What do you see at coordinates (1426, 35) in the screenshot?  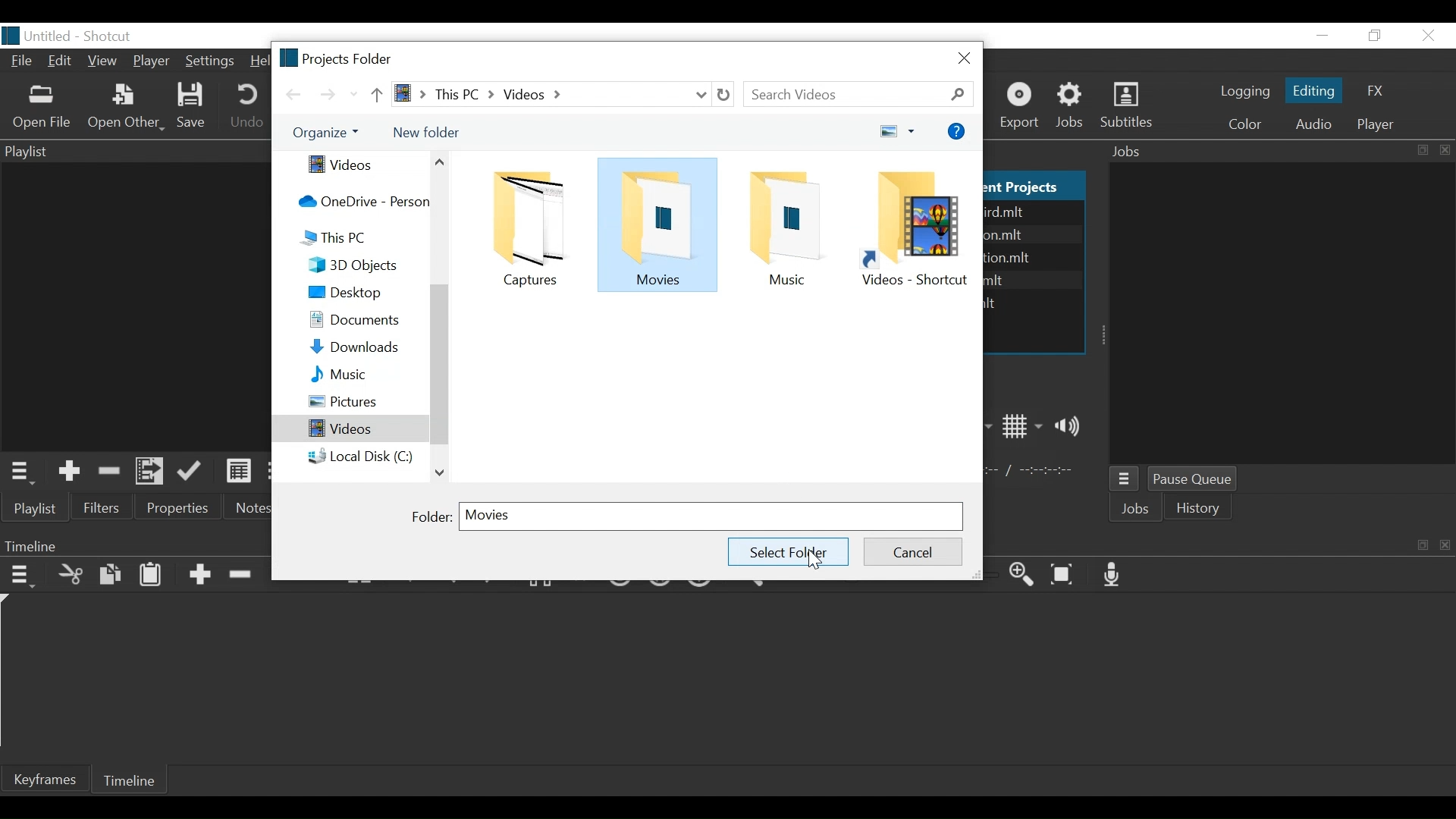 I see `Close` at bounding box center [1426, 35].